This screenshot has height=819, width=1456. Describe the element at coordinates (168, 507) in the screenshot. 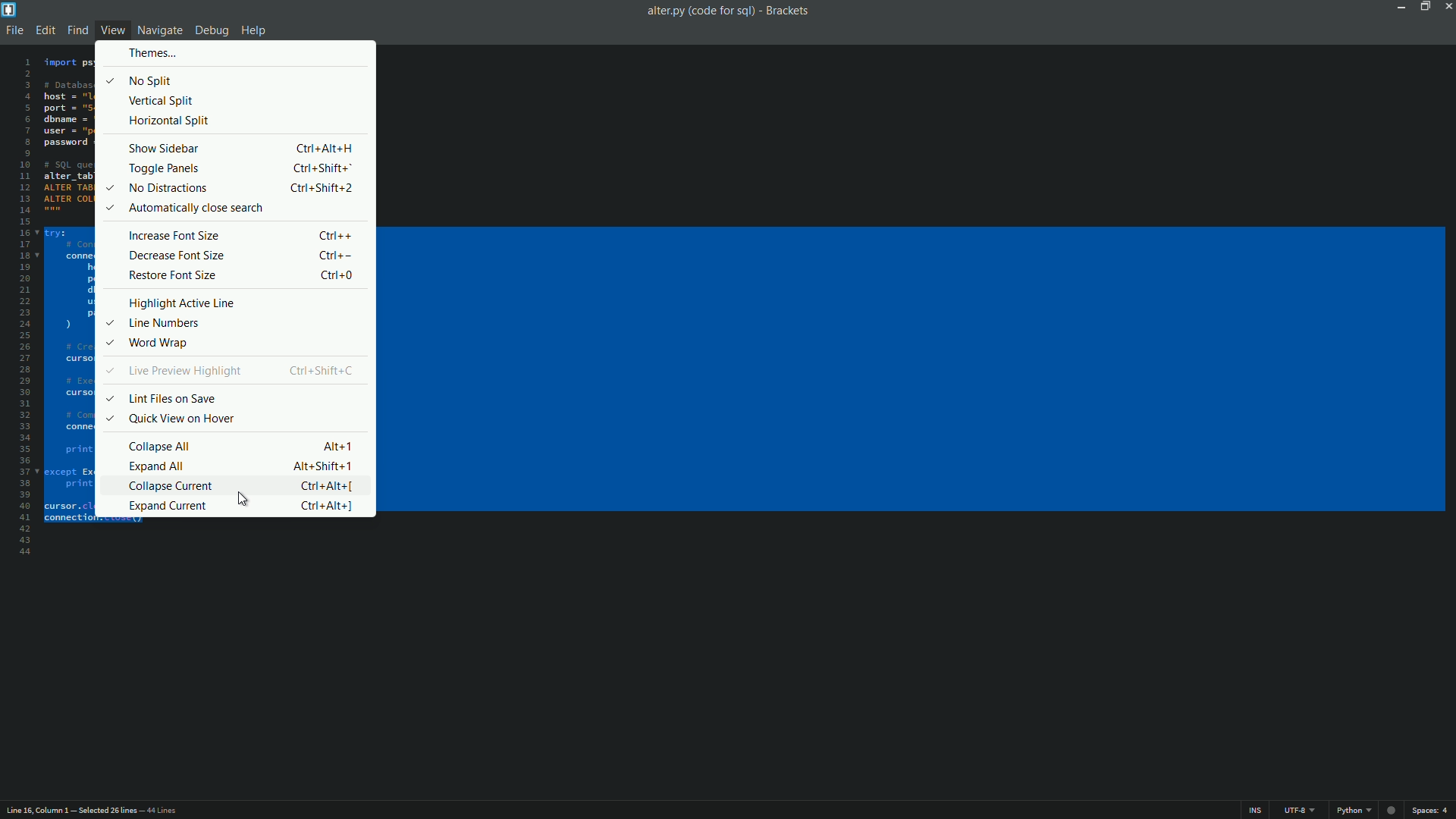

I see `expand current` at that location.